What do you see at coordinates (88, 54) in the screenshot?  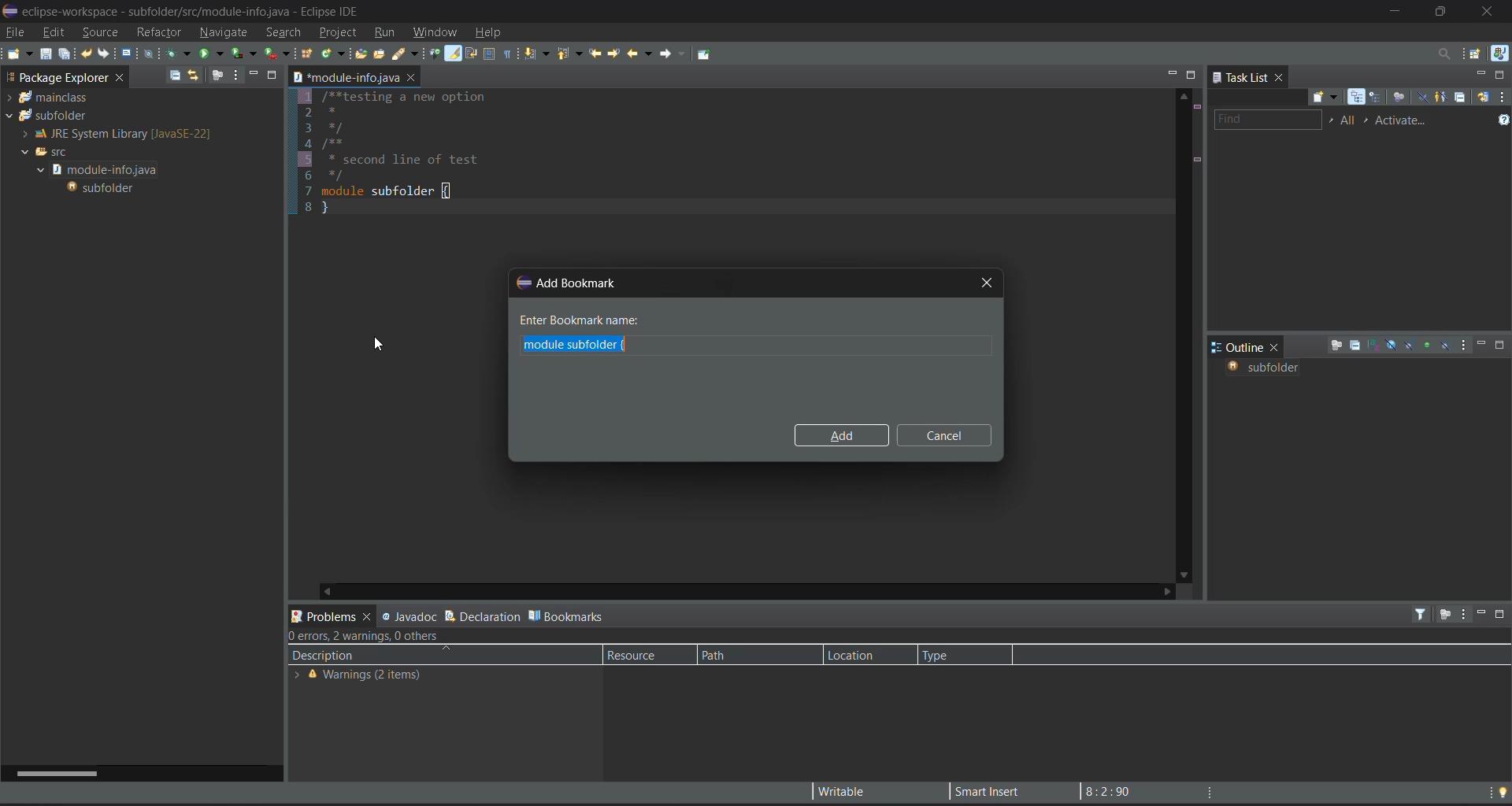 I see `undo` at bounding box center [88, 54].